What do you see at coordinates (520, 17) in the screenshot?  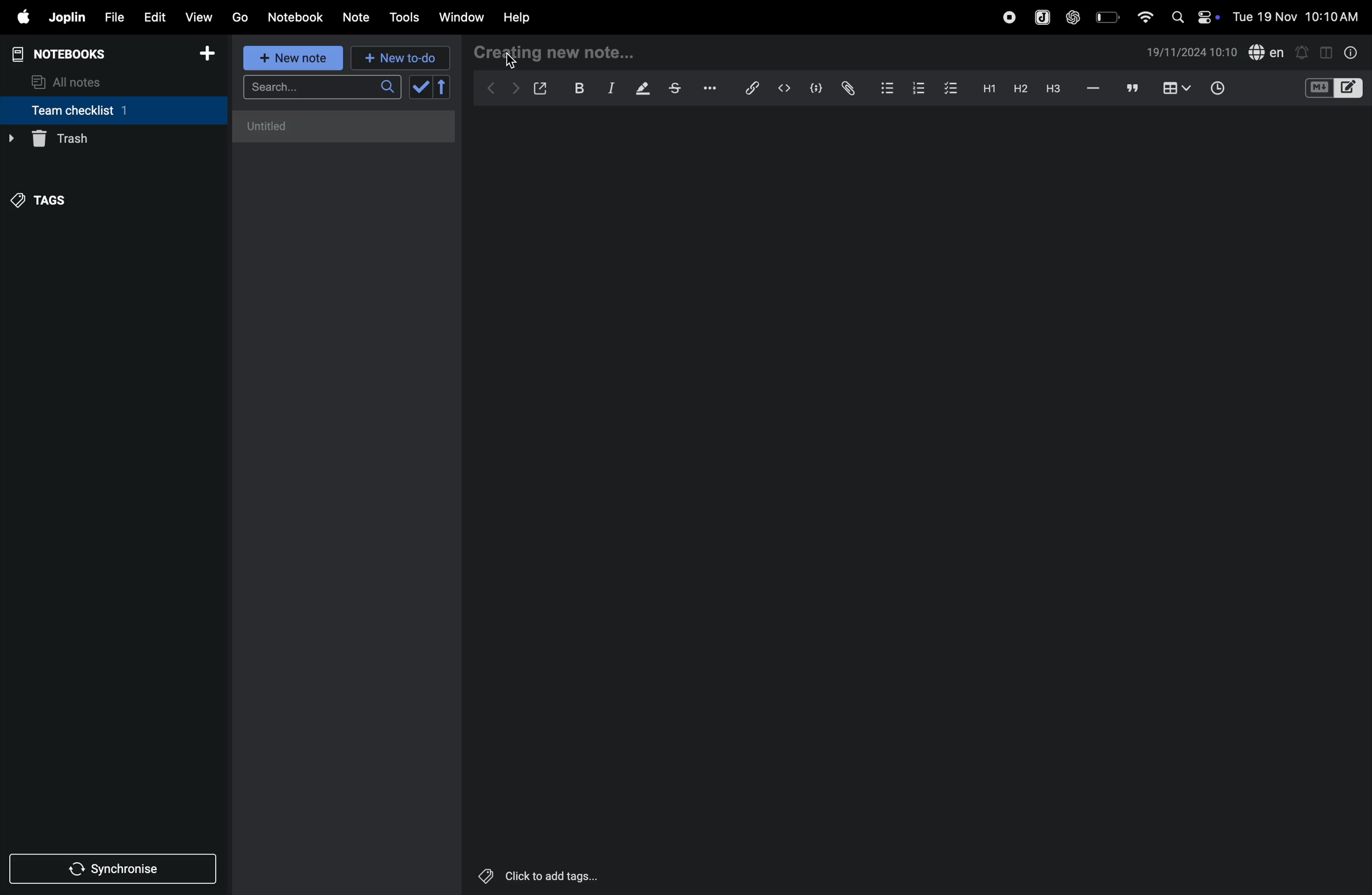 I see `help` at bounding box center [520, 17].